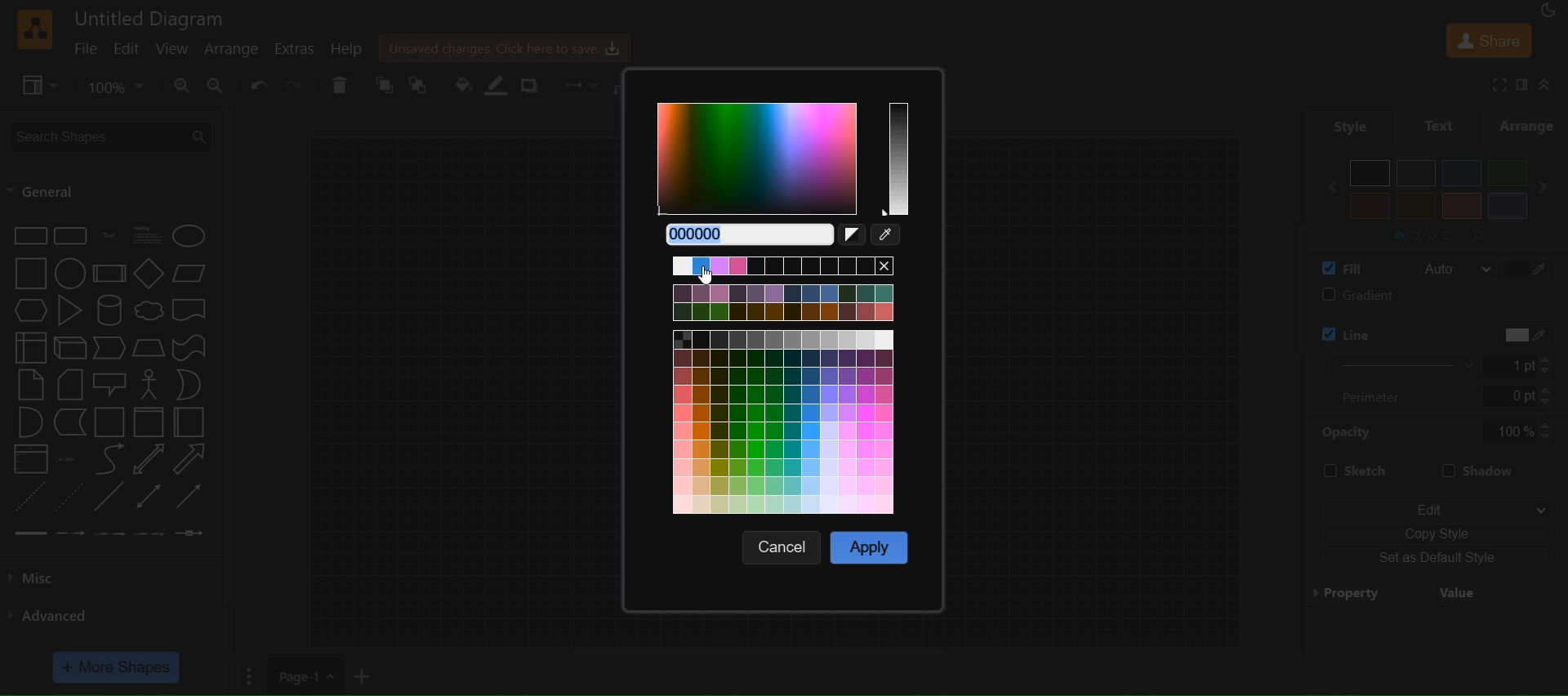  What do you see at coordinates (112, 310) in the screenshot?
I see `cylinder` at bounding box center [112, 310].